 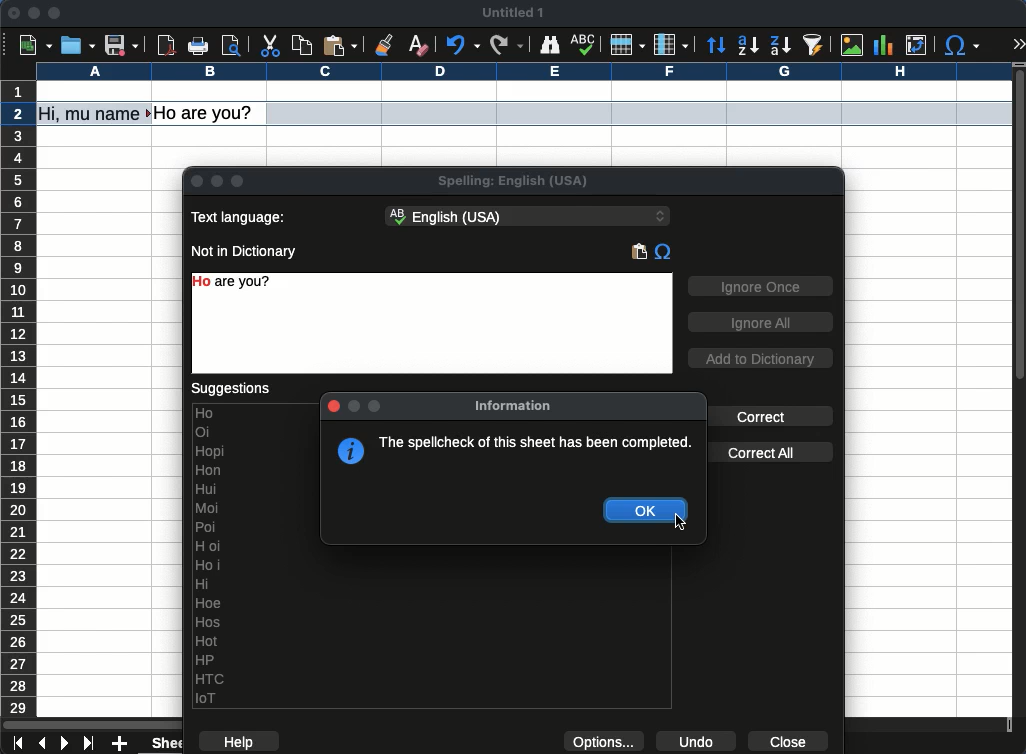 I want to click on expand, so click(x=1020, y=45).